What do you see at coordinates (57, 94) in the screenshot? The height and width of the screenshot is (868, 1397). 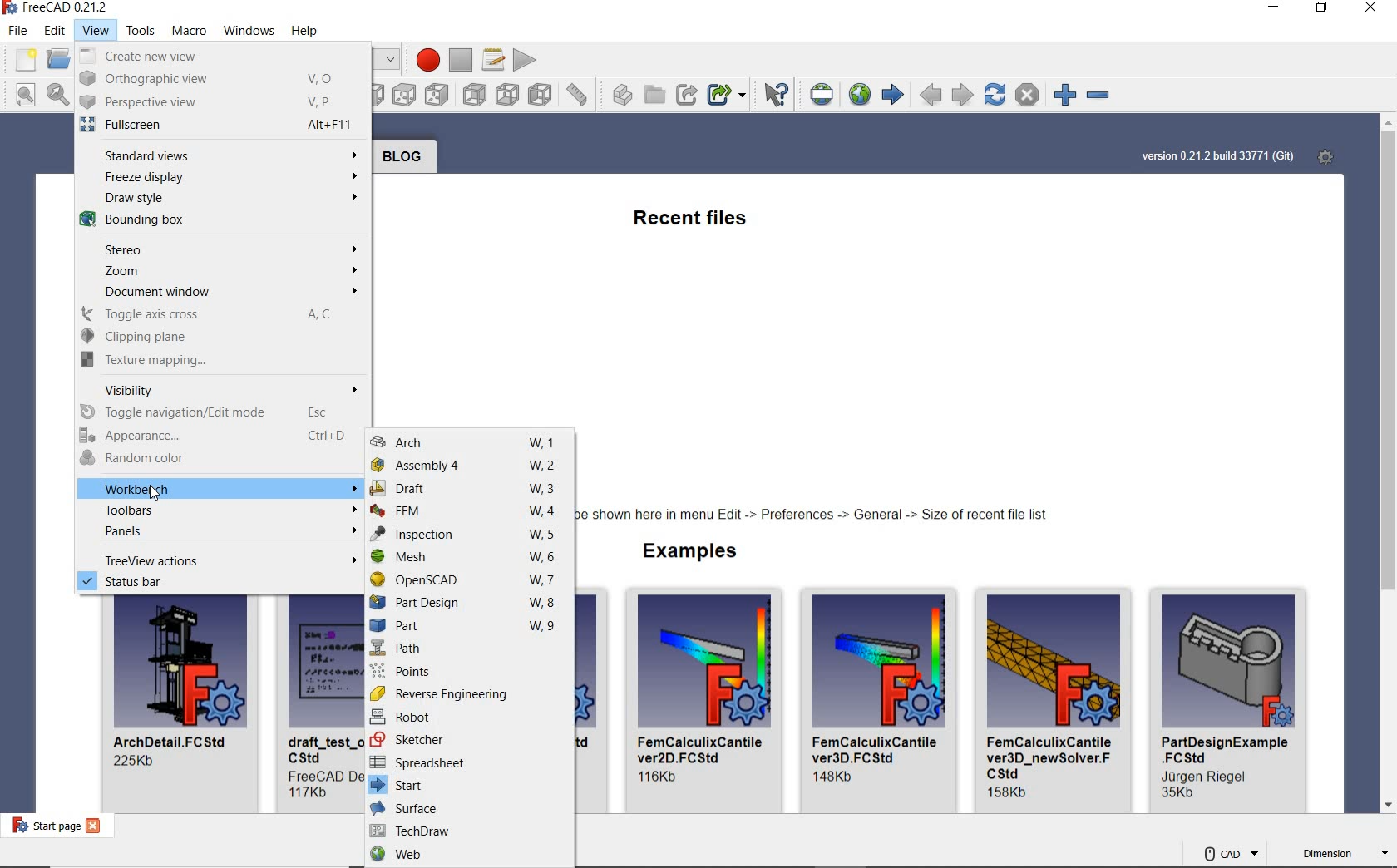 I see `fit selection` at bounding box center [57, 94].